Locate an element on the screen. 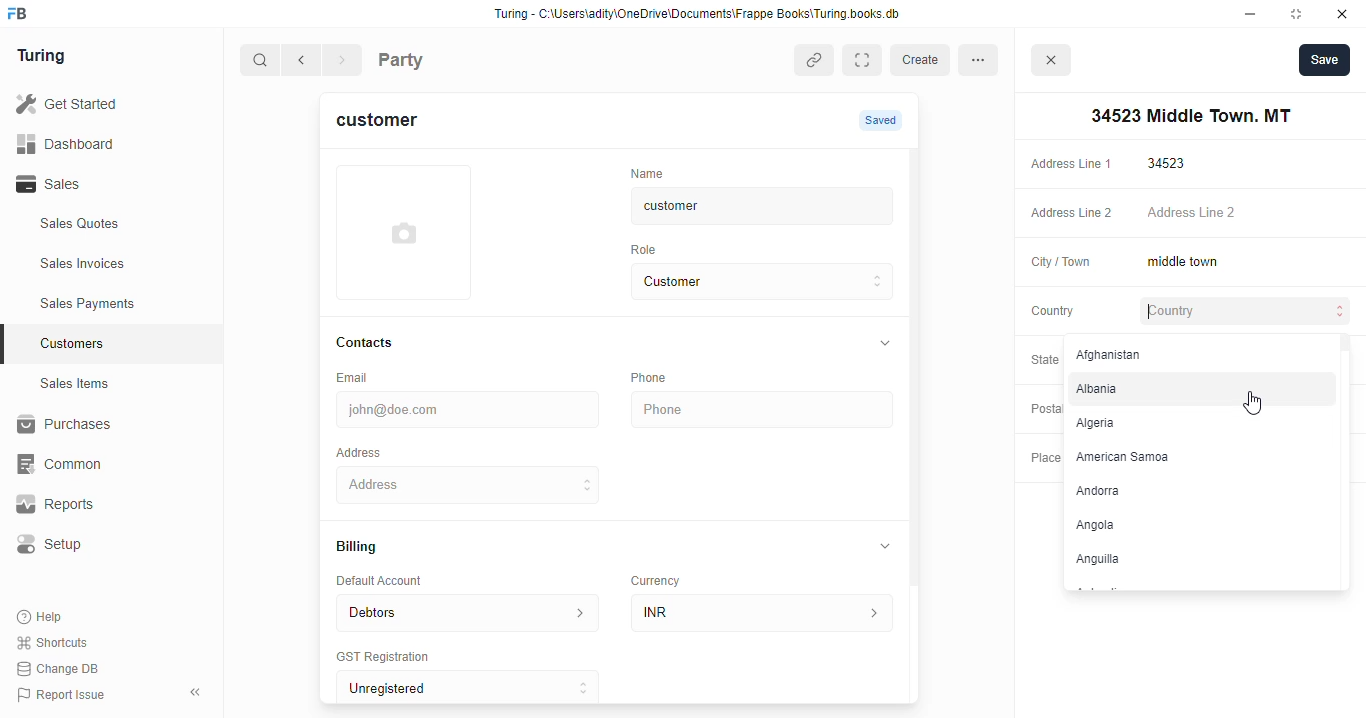 Image resolution: width=1366 pixels, height=718 pixels. Algeria is located at coordinates (1196, 426).